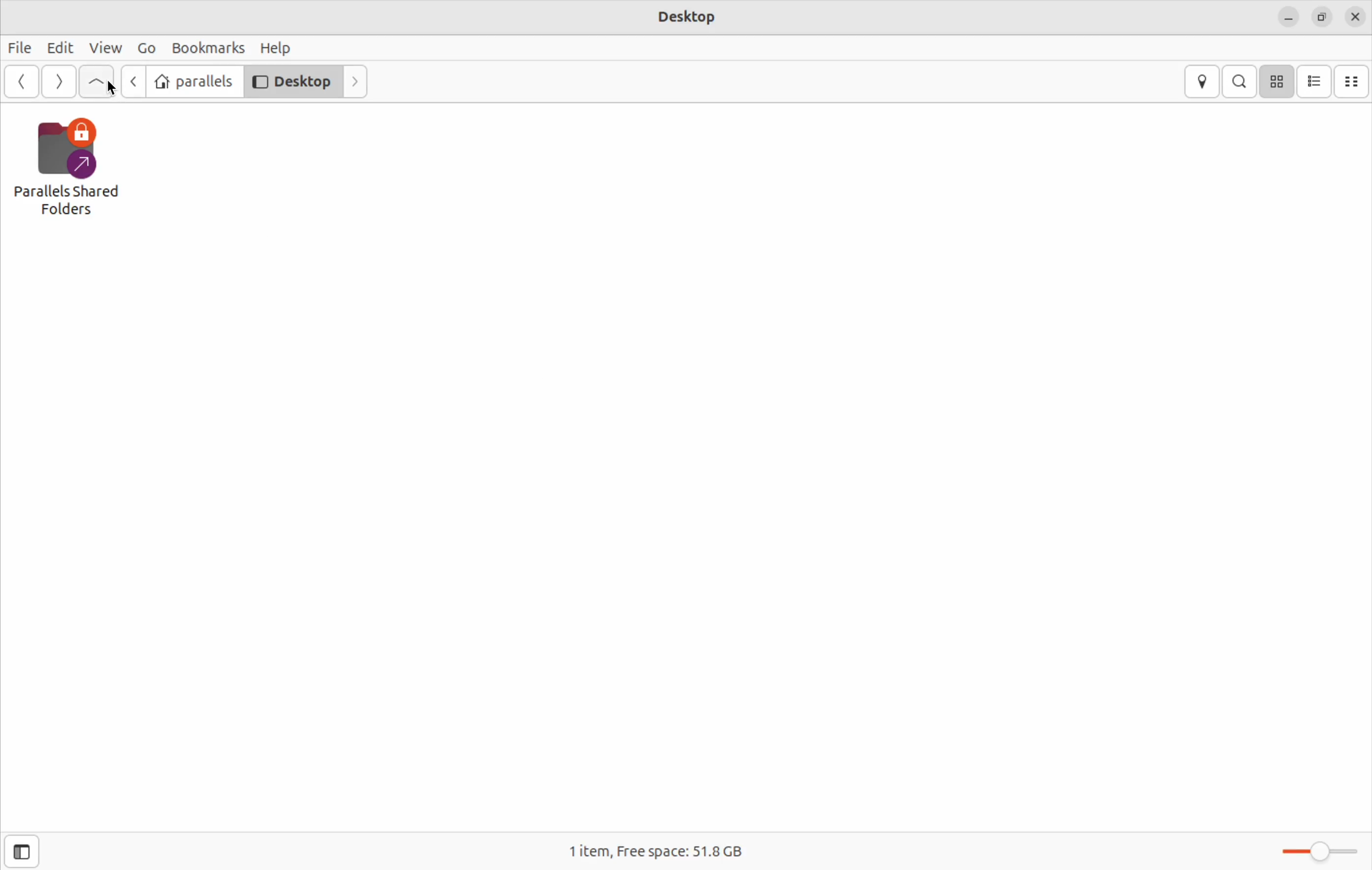 This screenshot has height=870, width=1372. I want to click on search, so click(1240, 81).